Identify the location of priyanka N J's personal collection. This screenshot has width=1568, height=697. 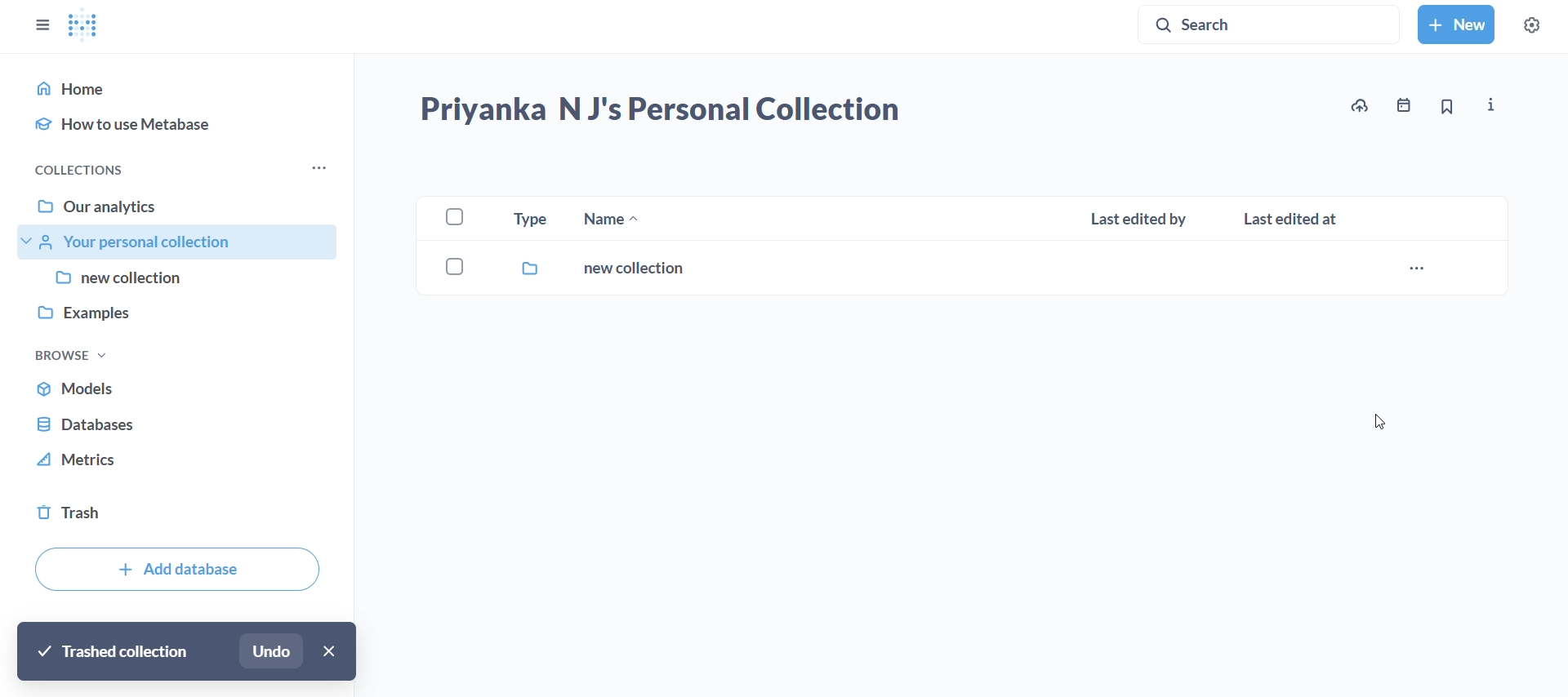
(660, 112).